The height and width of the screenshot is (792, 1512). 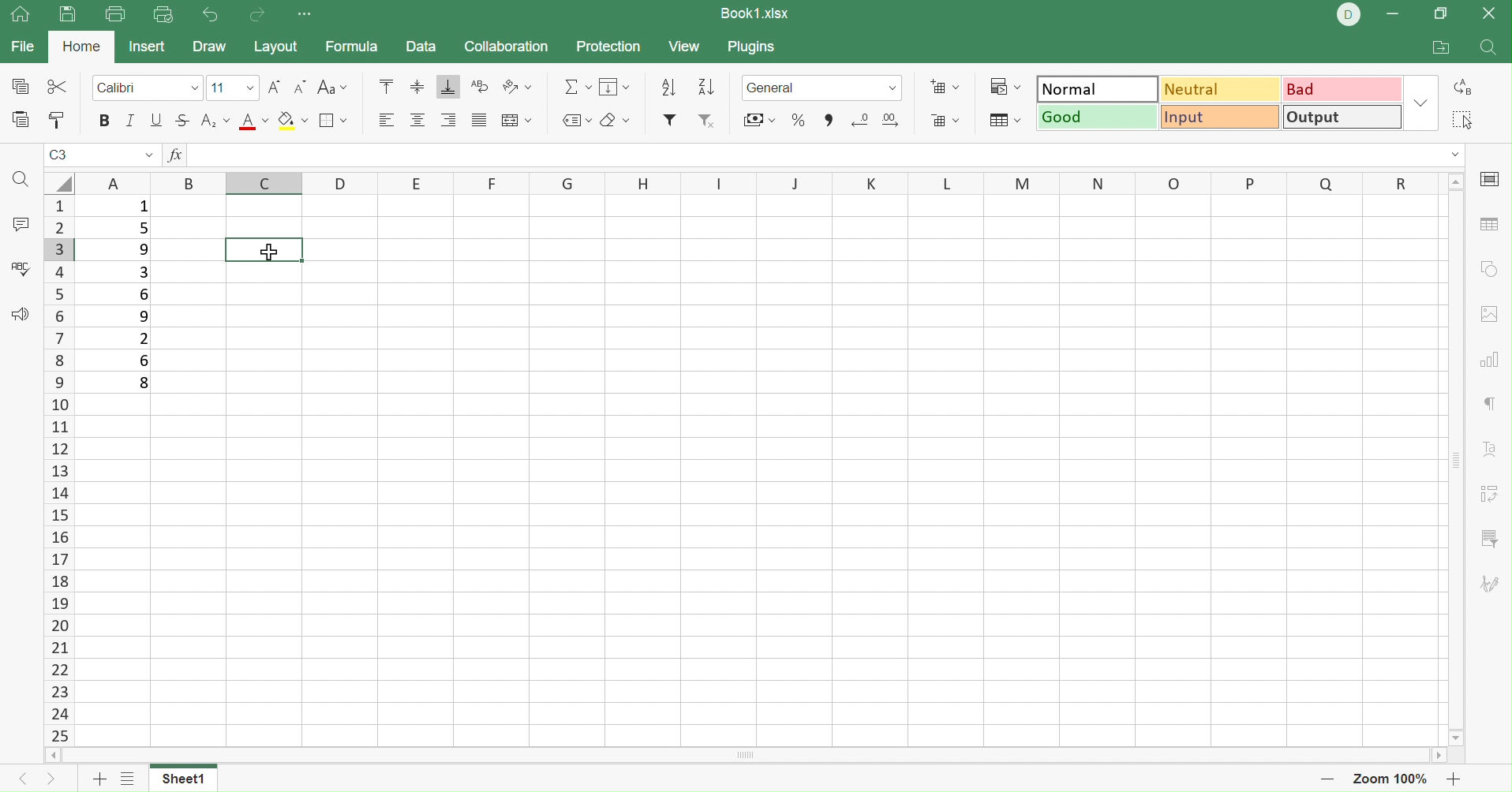 I want to click on Align bottom, so click(x=449, y=85).